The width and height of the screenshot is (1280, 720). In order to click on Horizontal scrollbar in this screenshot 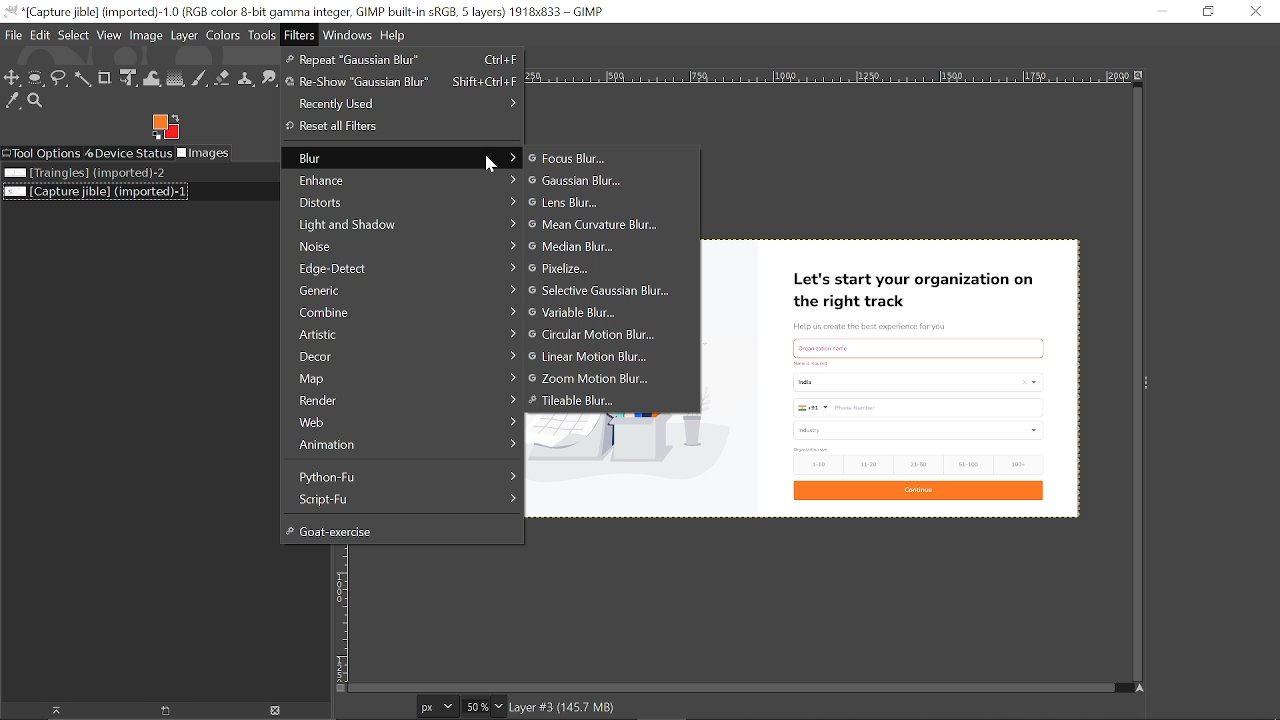, I will do `click(731, 688)`.